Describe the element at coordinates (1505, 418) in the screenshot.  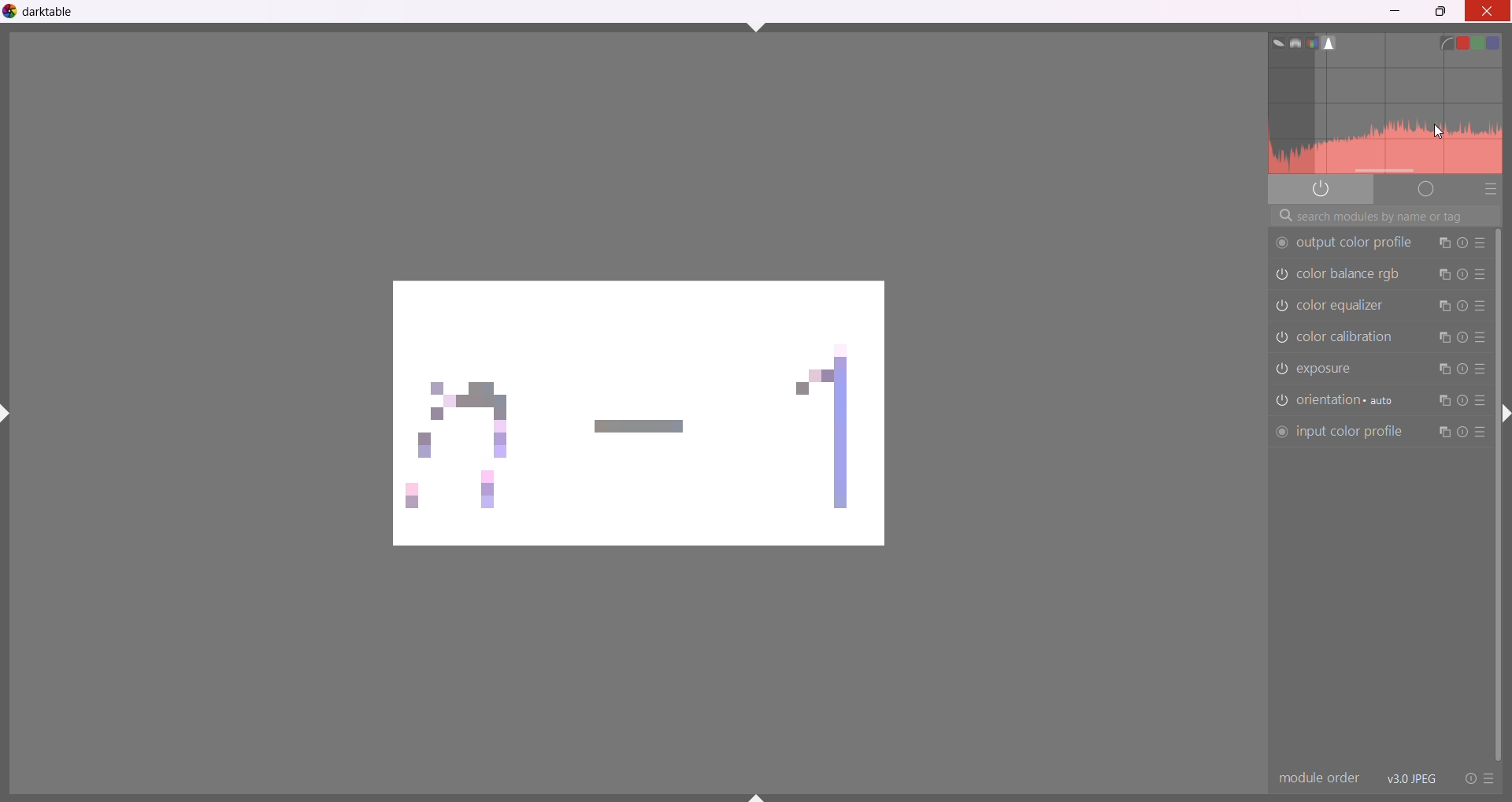
I see `shift+ctrl+r` at that location.